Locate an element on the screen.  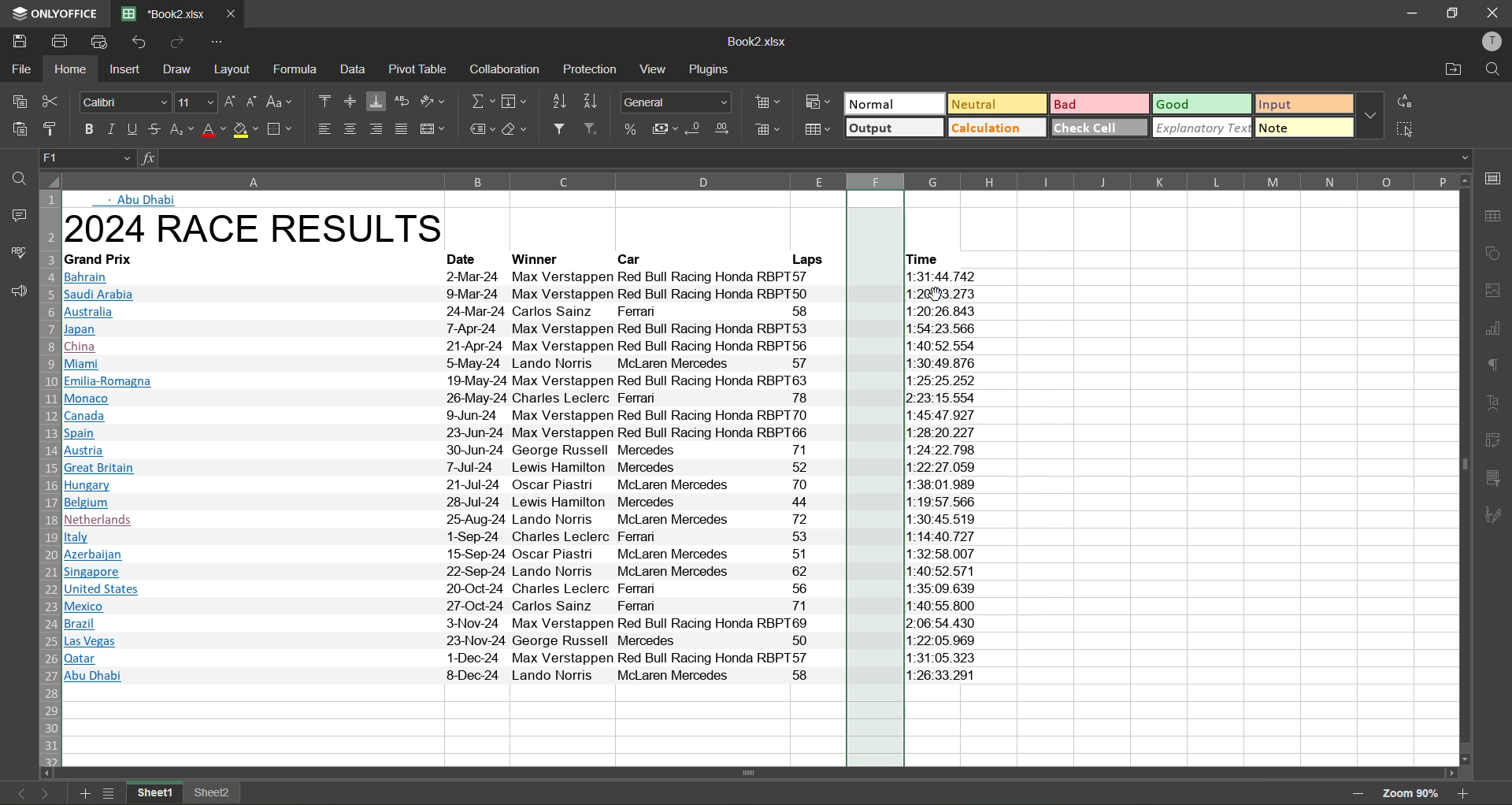
pivot table is located at coordinates (417, 69).